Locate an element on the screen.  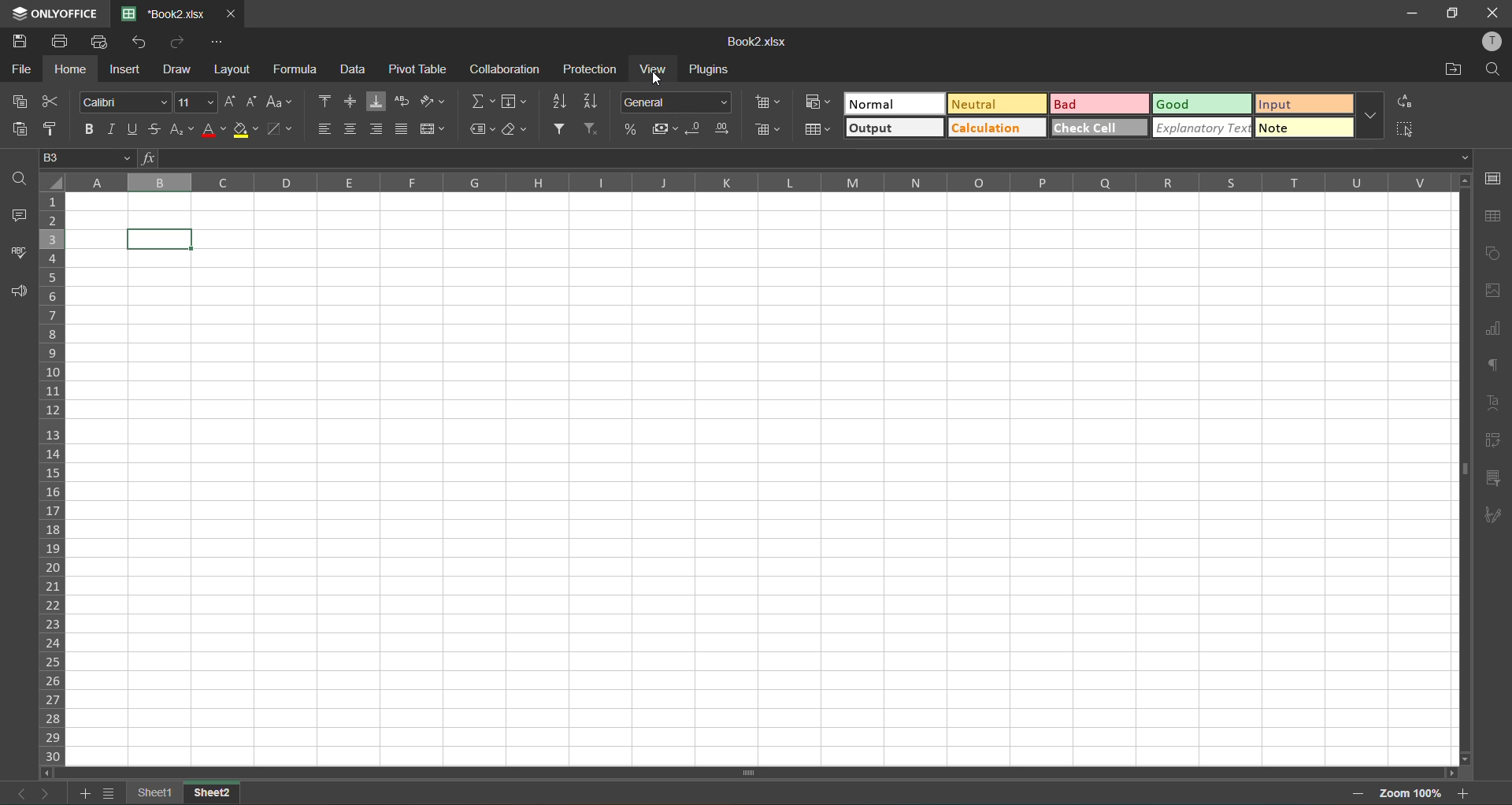
increment size is located at coordinates (232, 101).